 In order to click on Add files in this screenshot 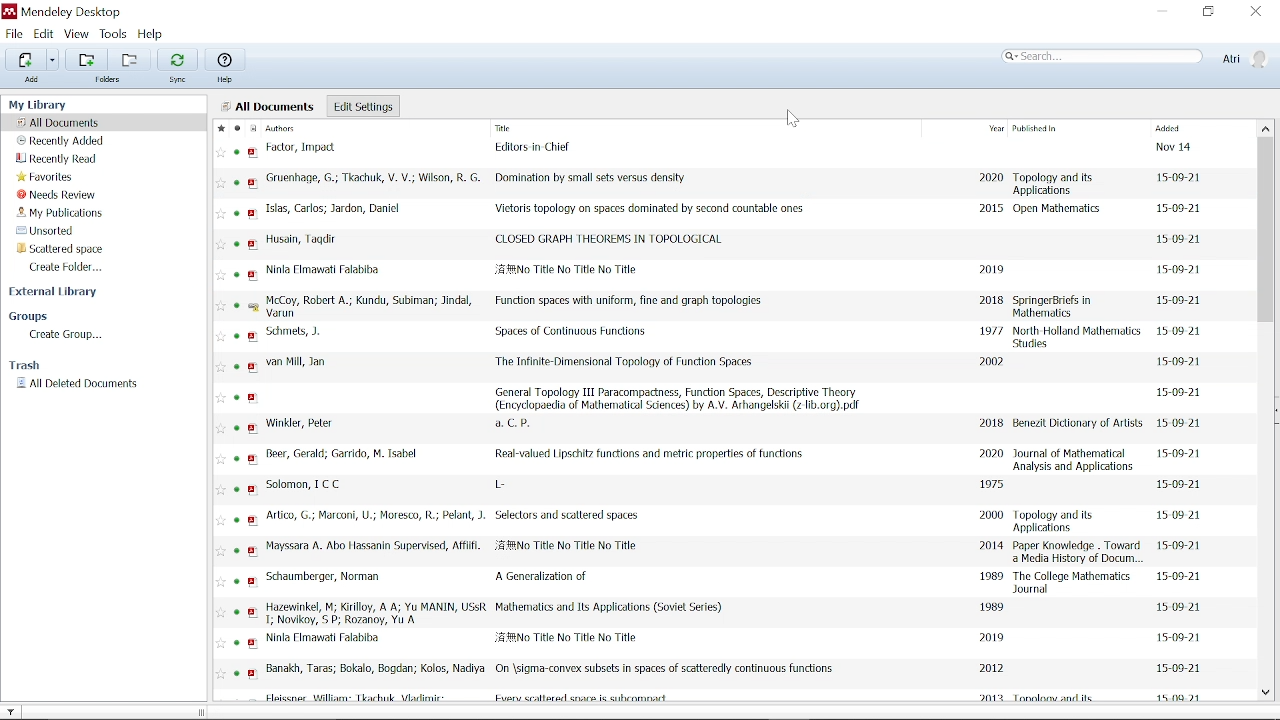, I will do `click(23, 60)`.